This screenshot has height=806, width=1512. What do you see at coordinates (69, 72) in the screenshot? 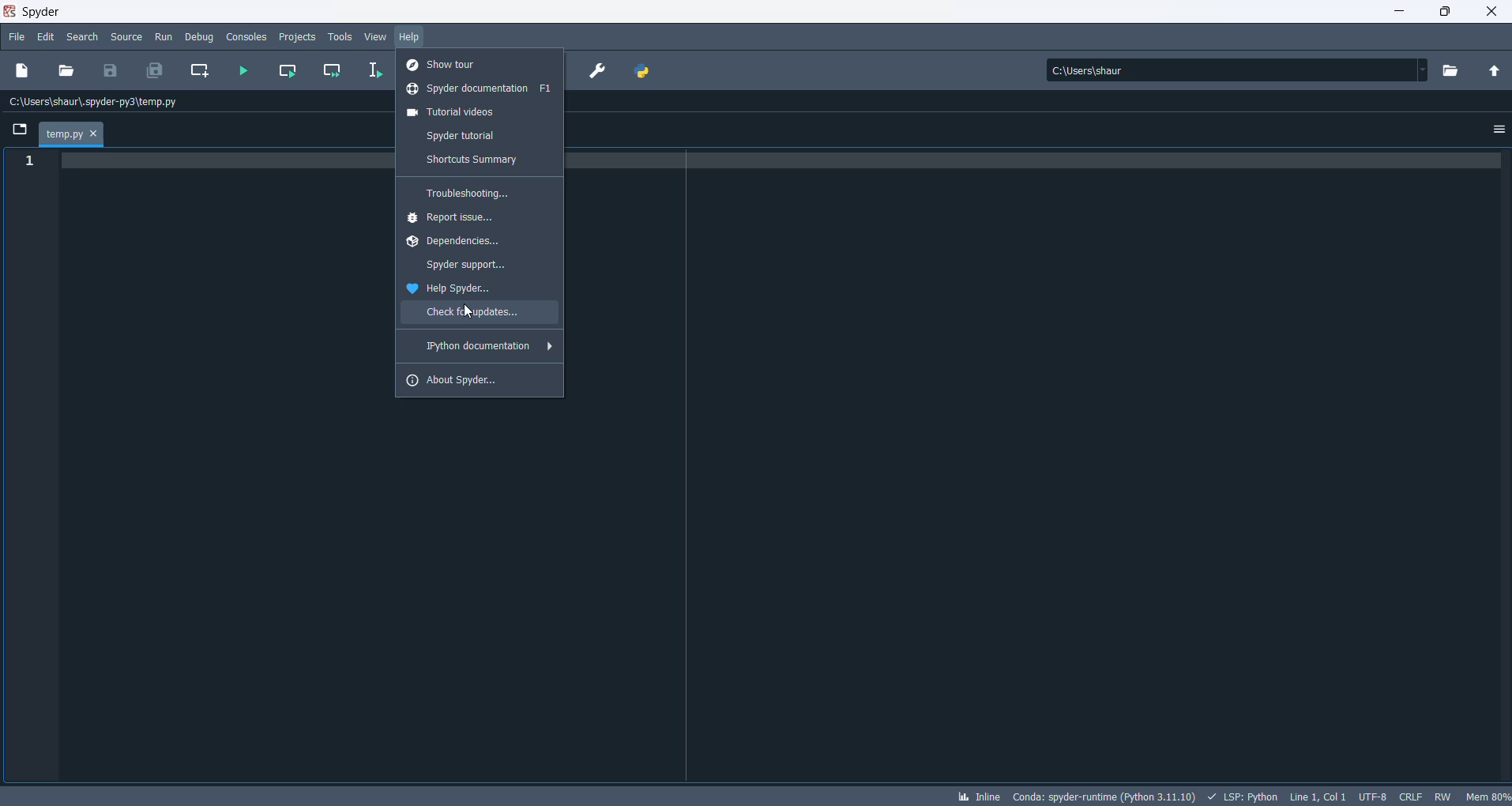
I see `open ` at bounding box center [69, 72].